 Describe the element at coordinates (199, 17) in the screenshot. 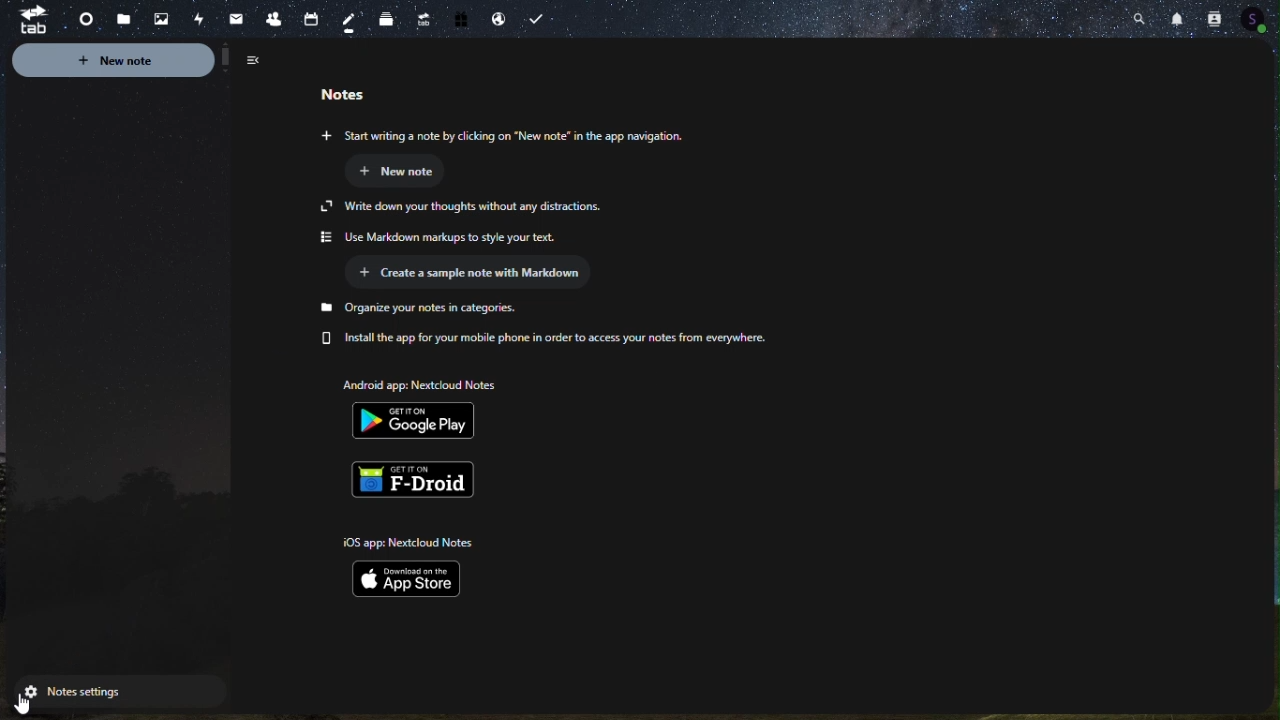

I see `Activity` at that location.